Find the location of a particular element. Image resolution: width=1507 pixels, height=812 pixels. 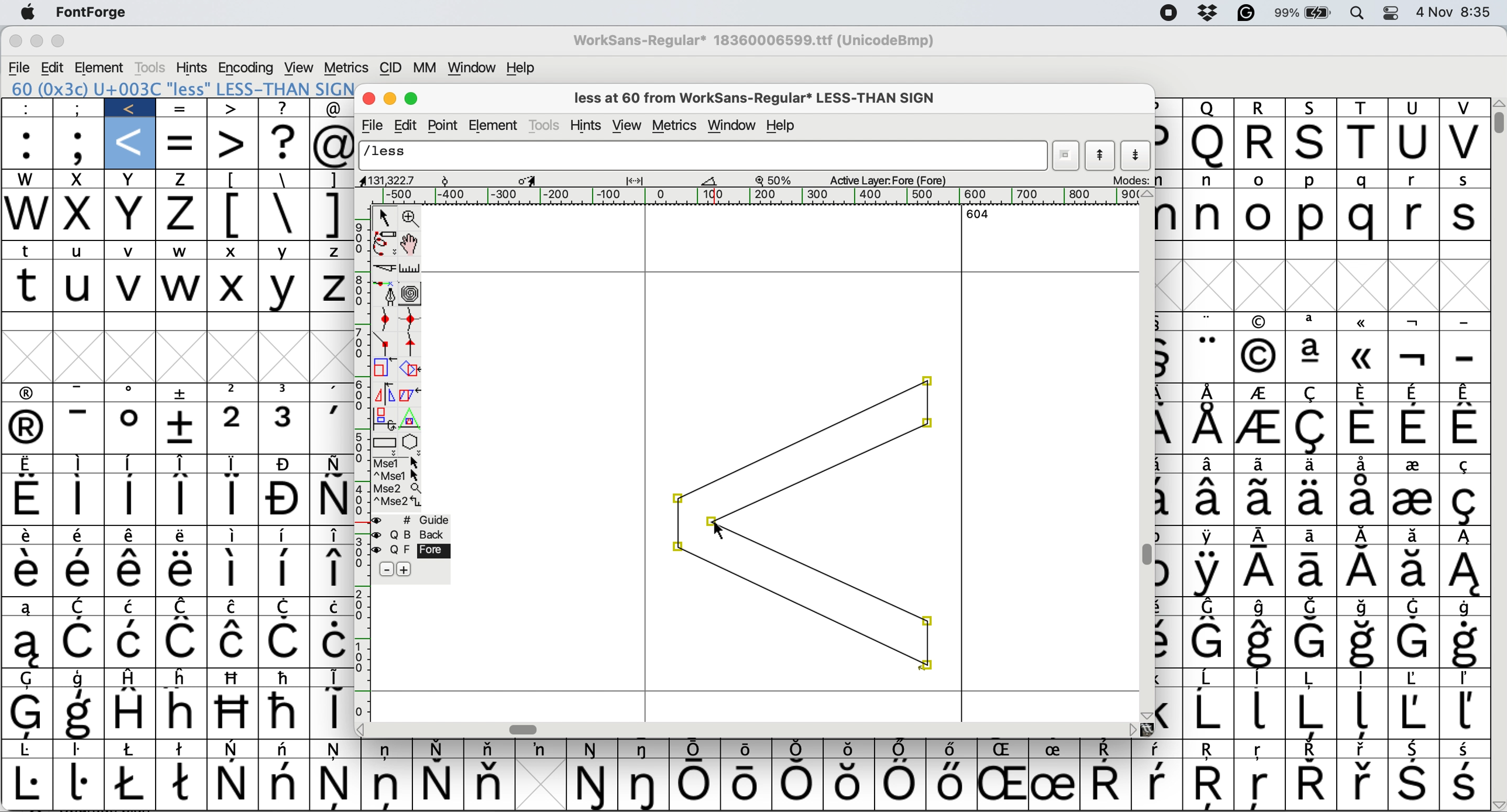

Symbol is located at coordinates (952, 748).